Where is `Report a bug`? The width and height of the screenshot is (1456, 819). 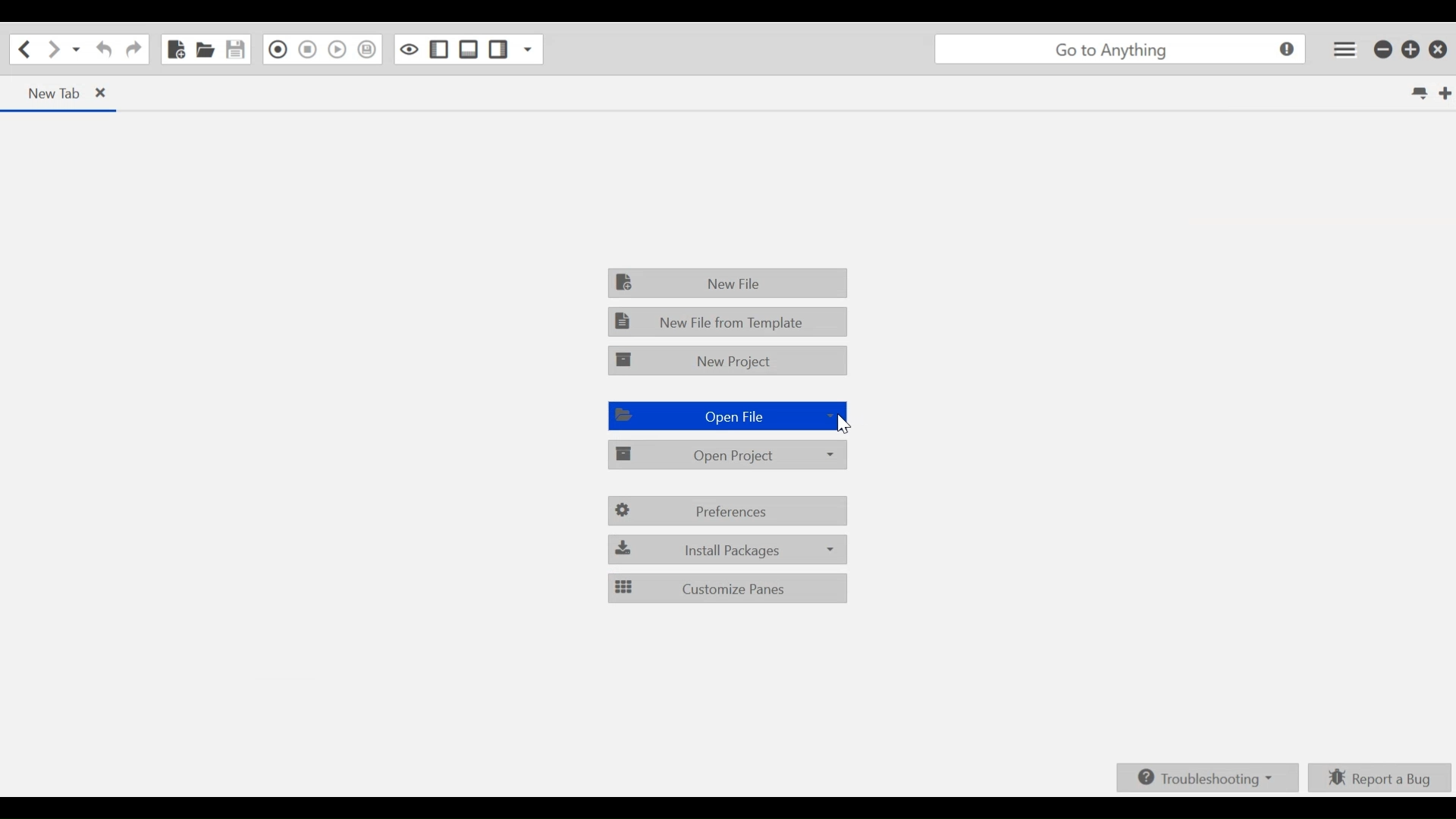 Report a bug is located at coordinates (1380, 778).